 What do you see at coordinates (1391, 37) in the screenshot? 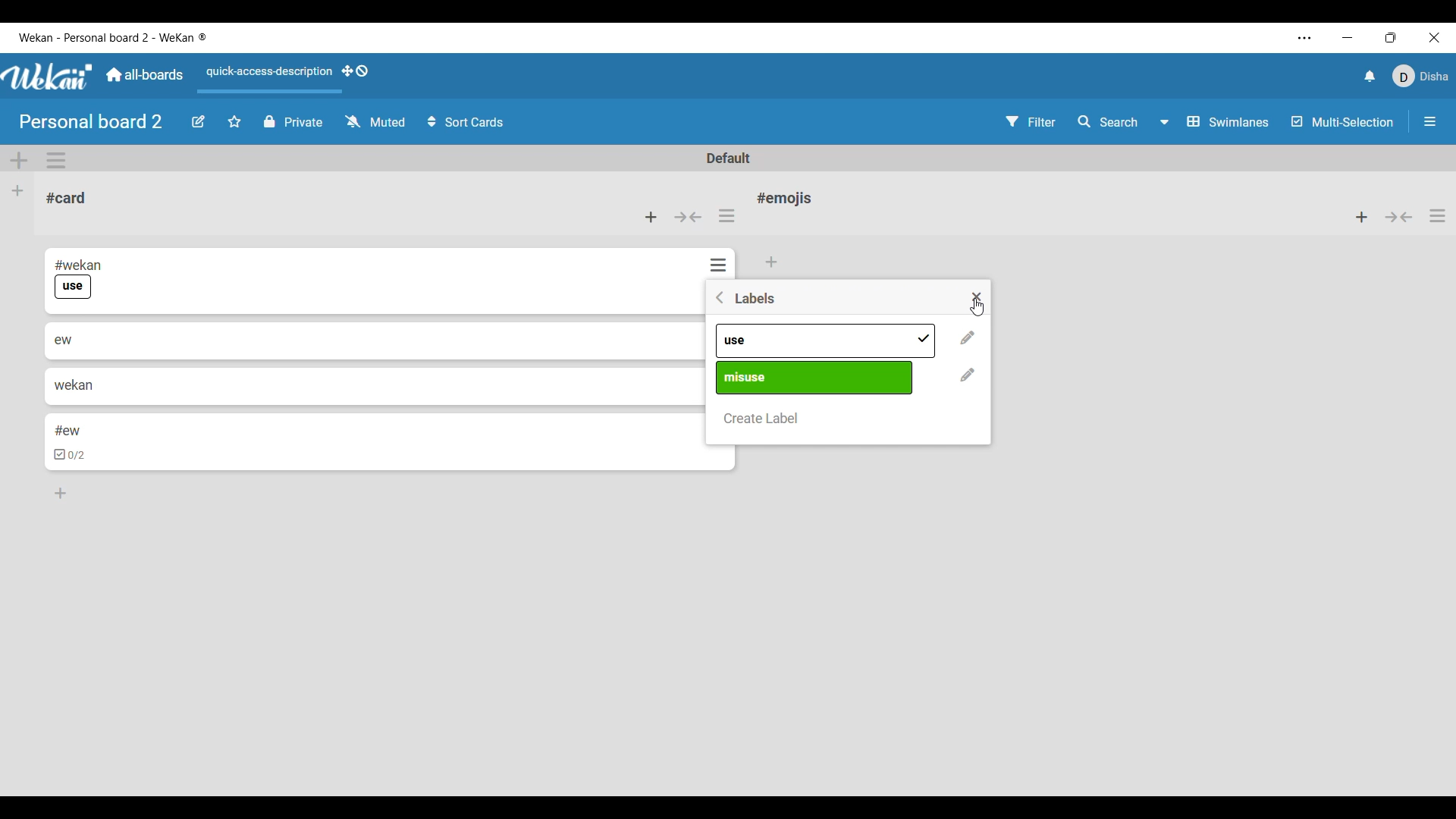
I see `Show interface in a smaller tab` at bounding box center [1391, 37].